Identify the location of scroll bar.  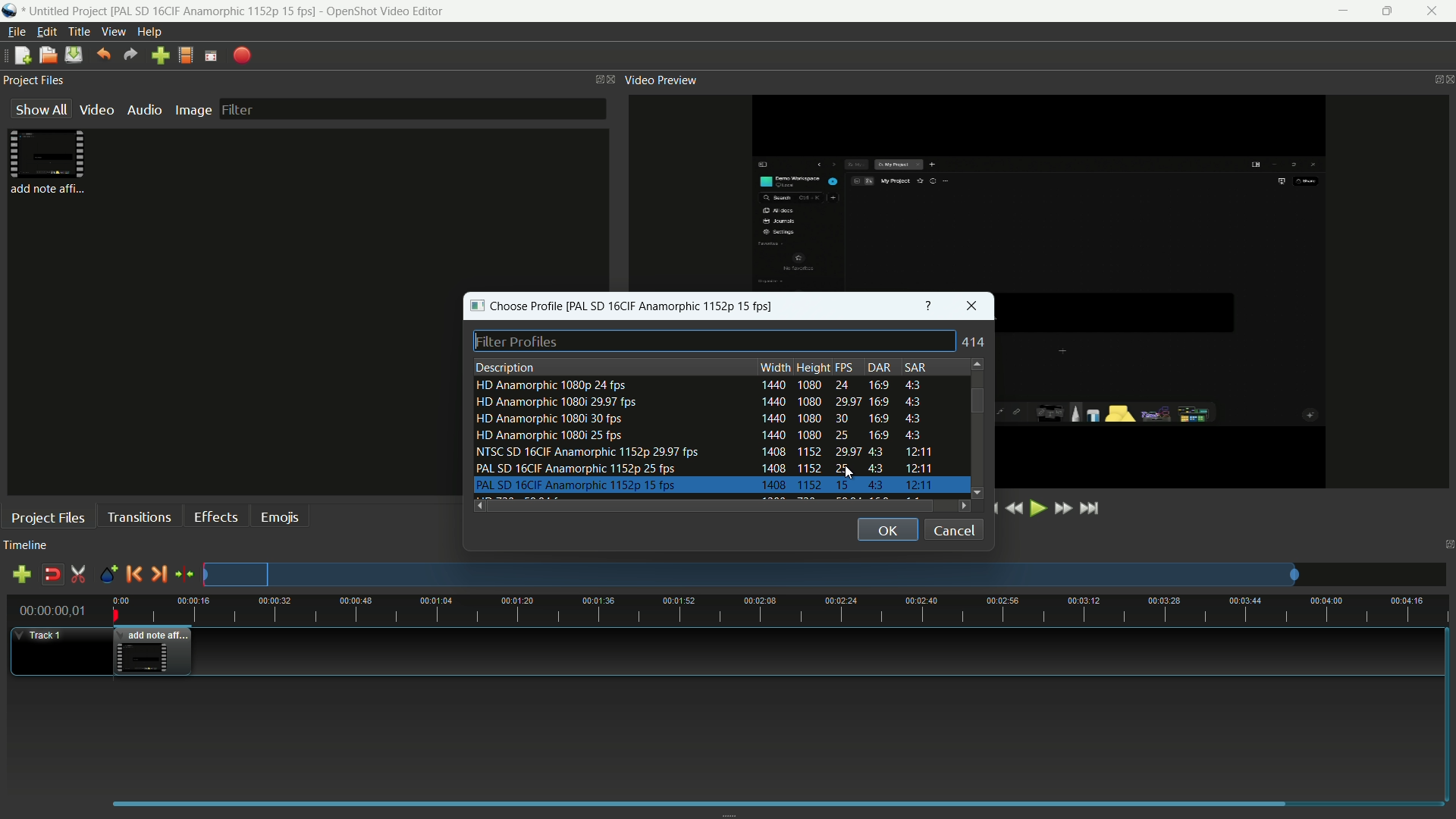
(974, 400).